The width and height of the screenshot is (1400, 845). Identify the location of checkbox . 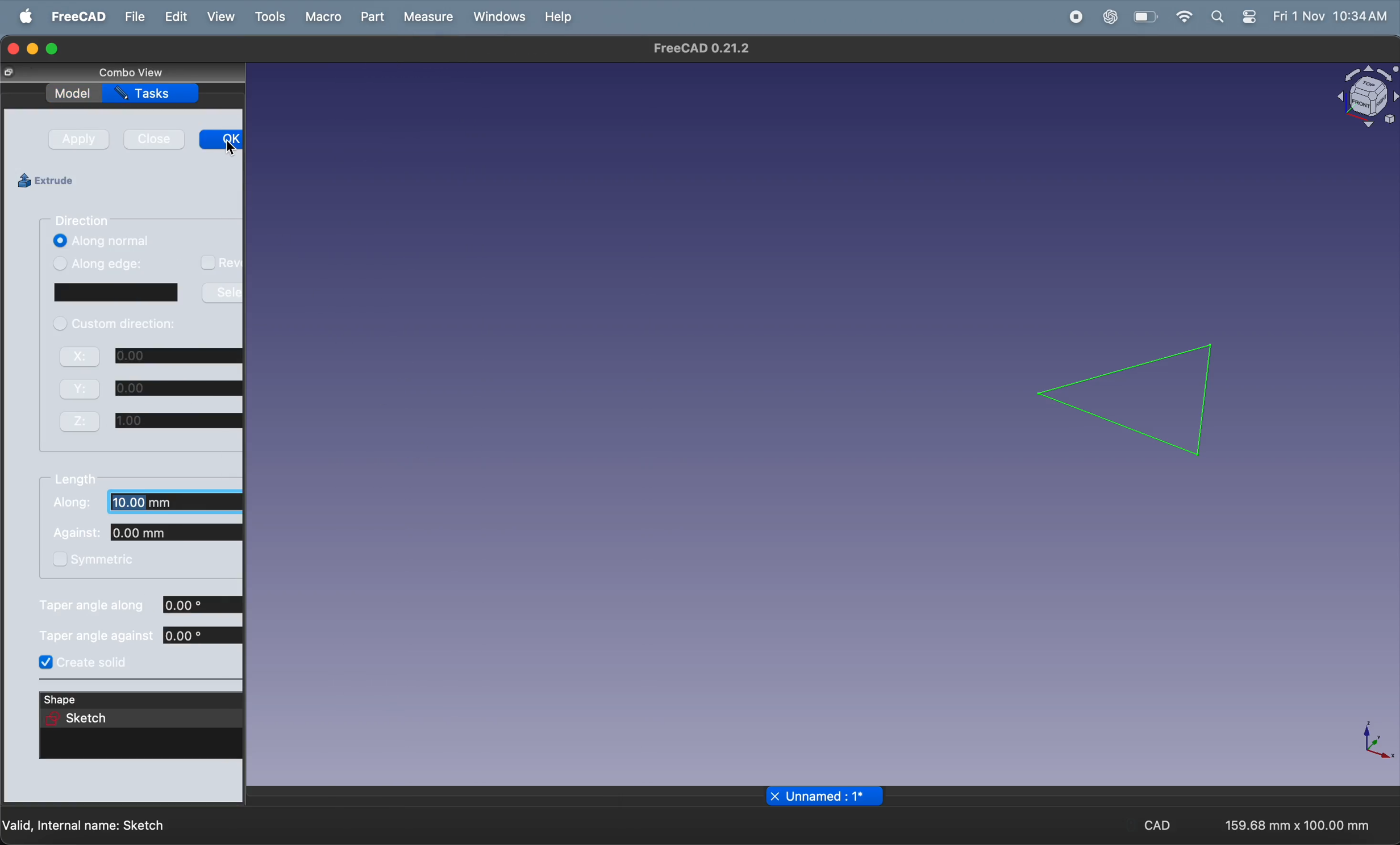
(60, 560).